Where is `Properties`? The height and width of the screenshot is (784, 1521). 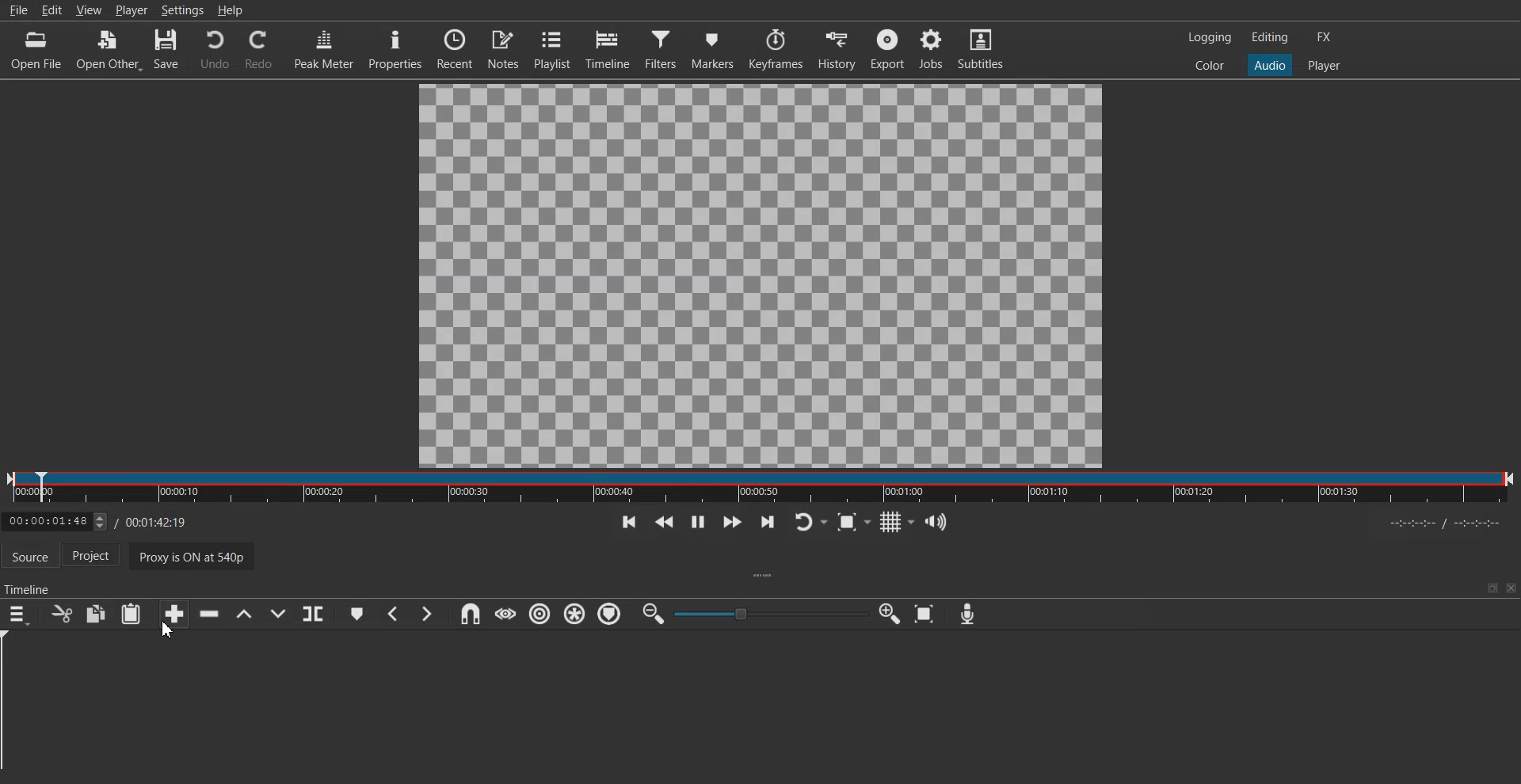
Properties is located at coordinates (395, 49).